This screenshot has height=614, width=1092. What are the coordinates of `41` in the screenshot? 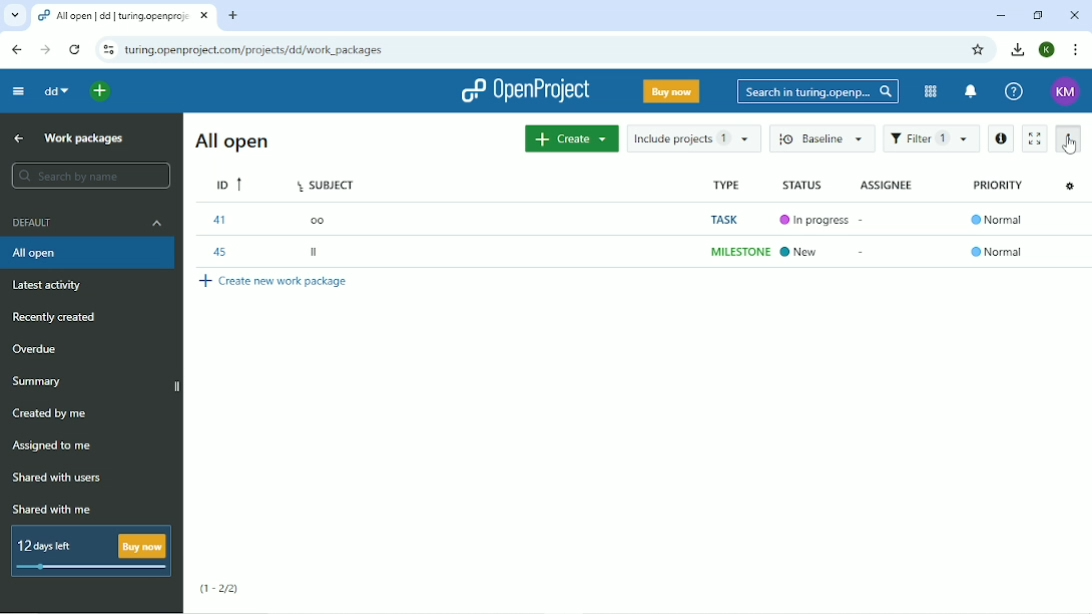 It's located at (218, 219).